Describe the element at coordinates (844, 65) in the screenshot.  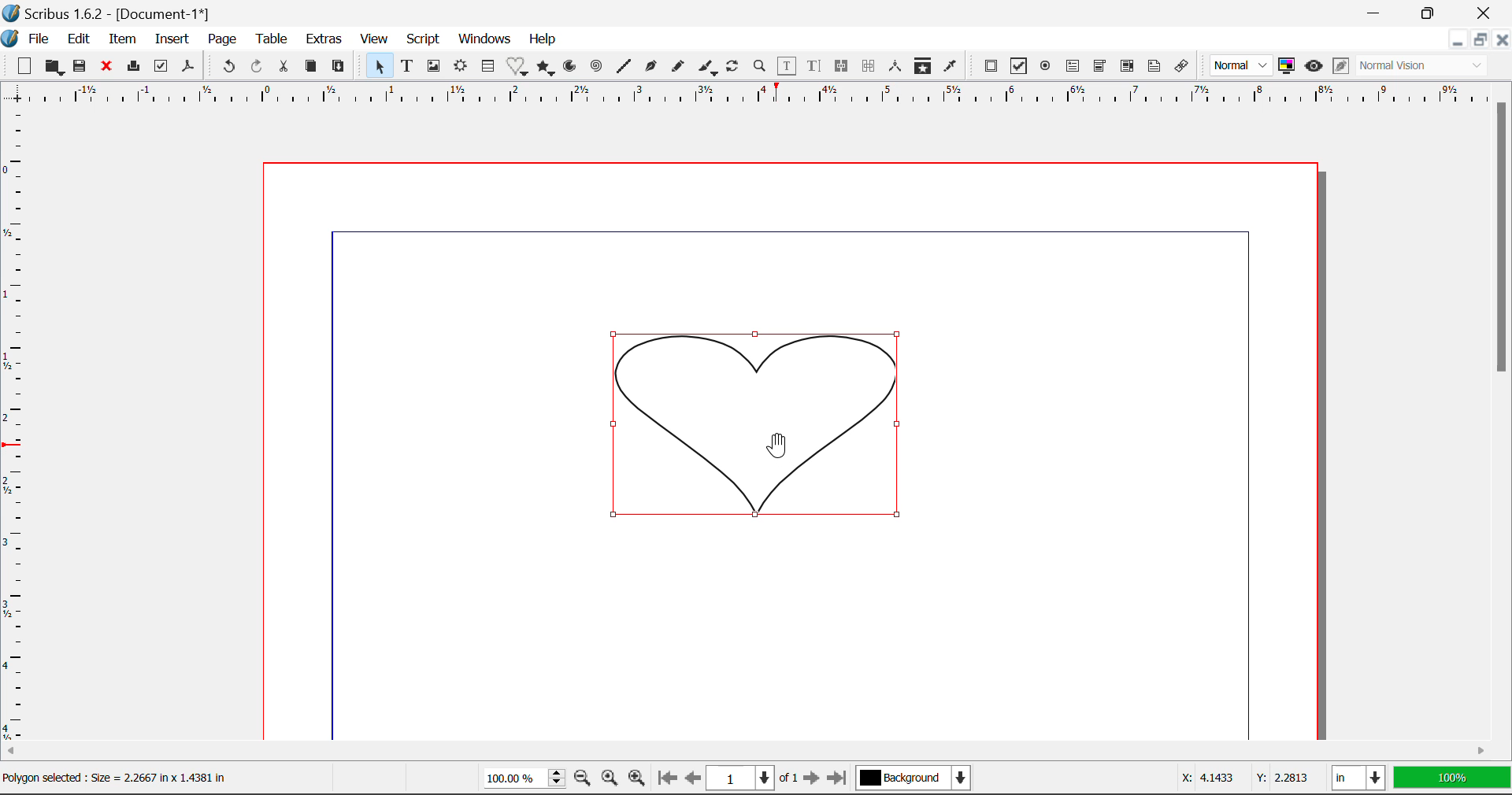
I see `Link Text Frames` at that location.